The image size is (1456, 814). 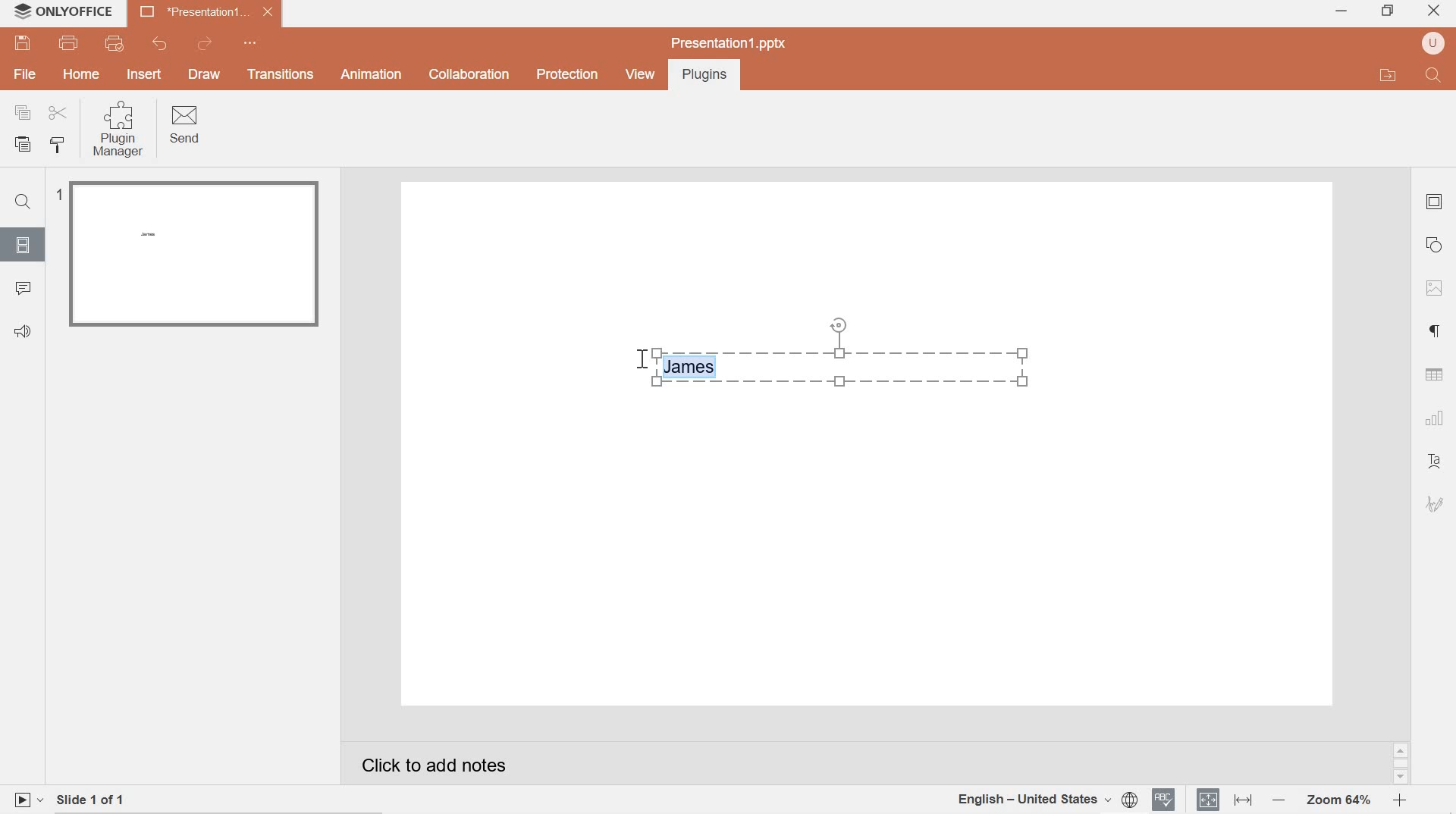 I want to click on Transitions, so click(x=281, y=75).